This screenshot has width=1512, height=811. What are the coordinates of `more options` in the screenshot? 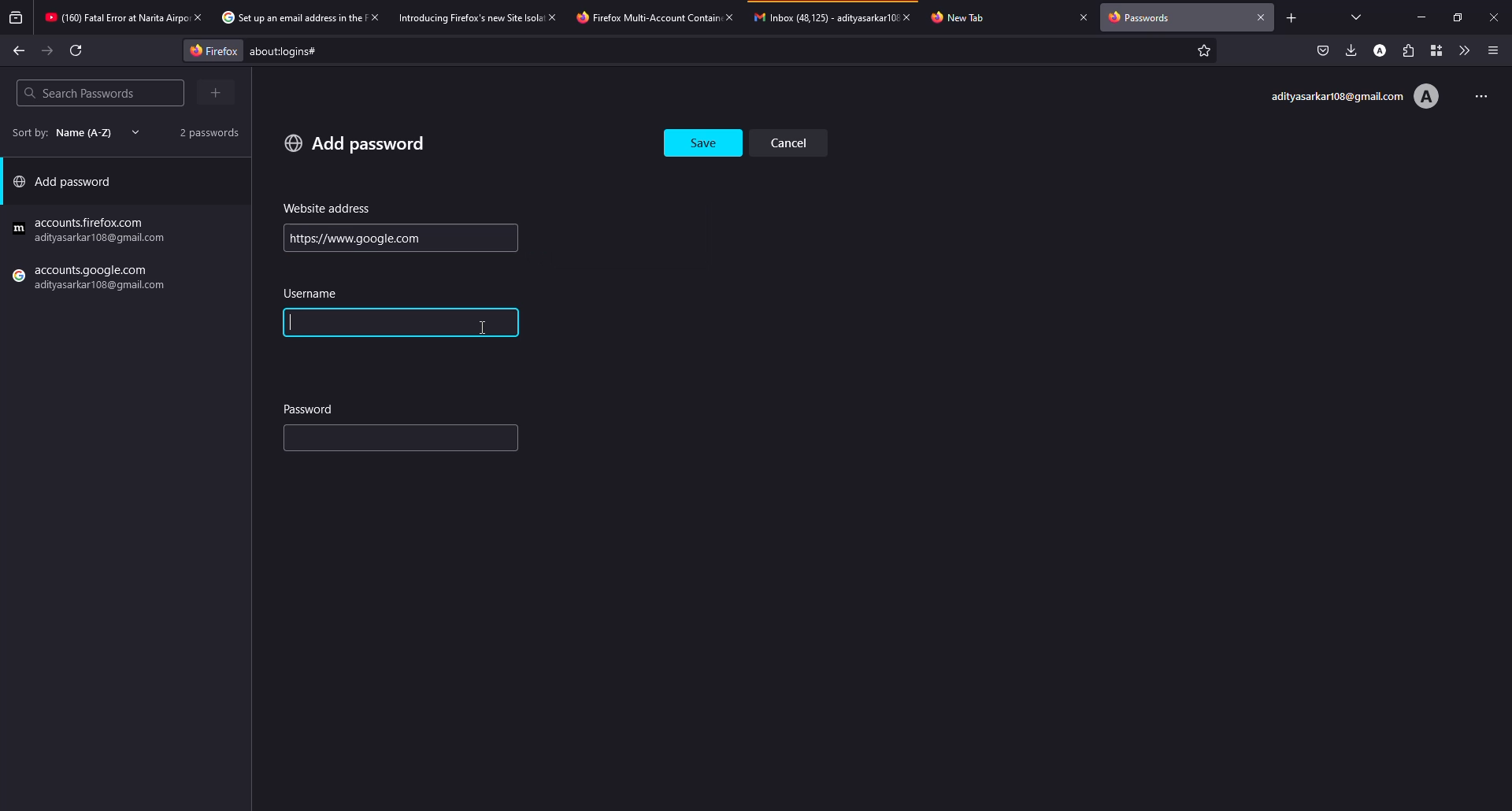 It's located at (1476, 94).